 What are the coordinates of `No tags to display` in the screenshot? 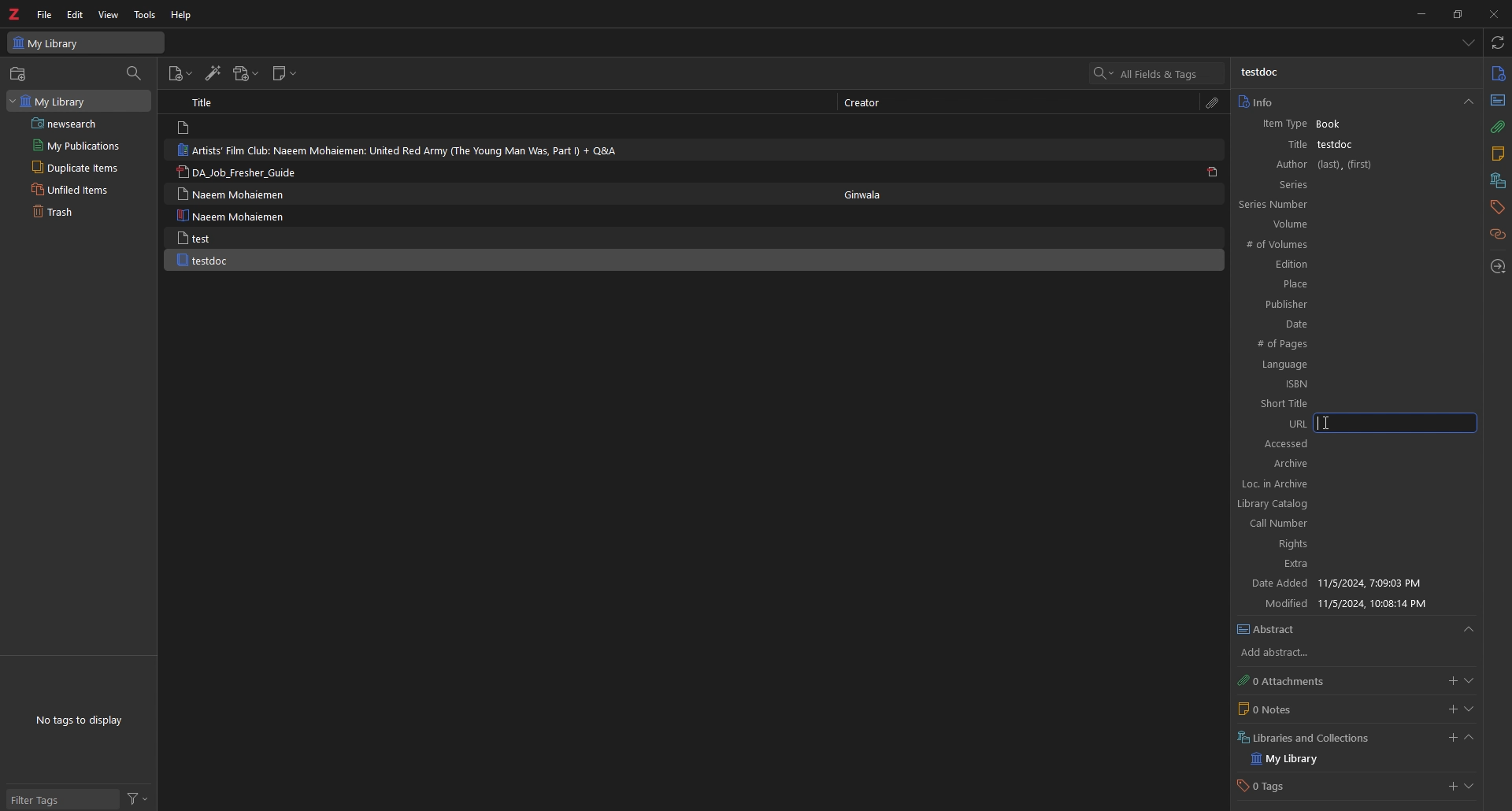 It's located at (83, 719).